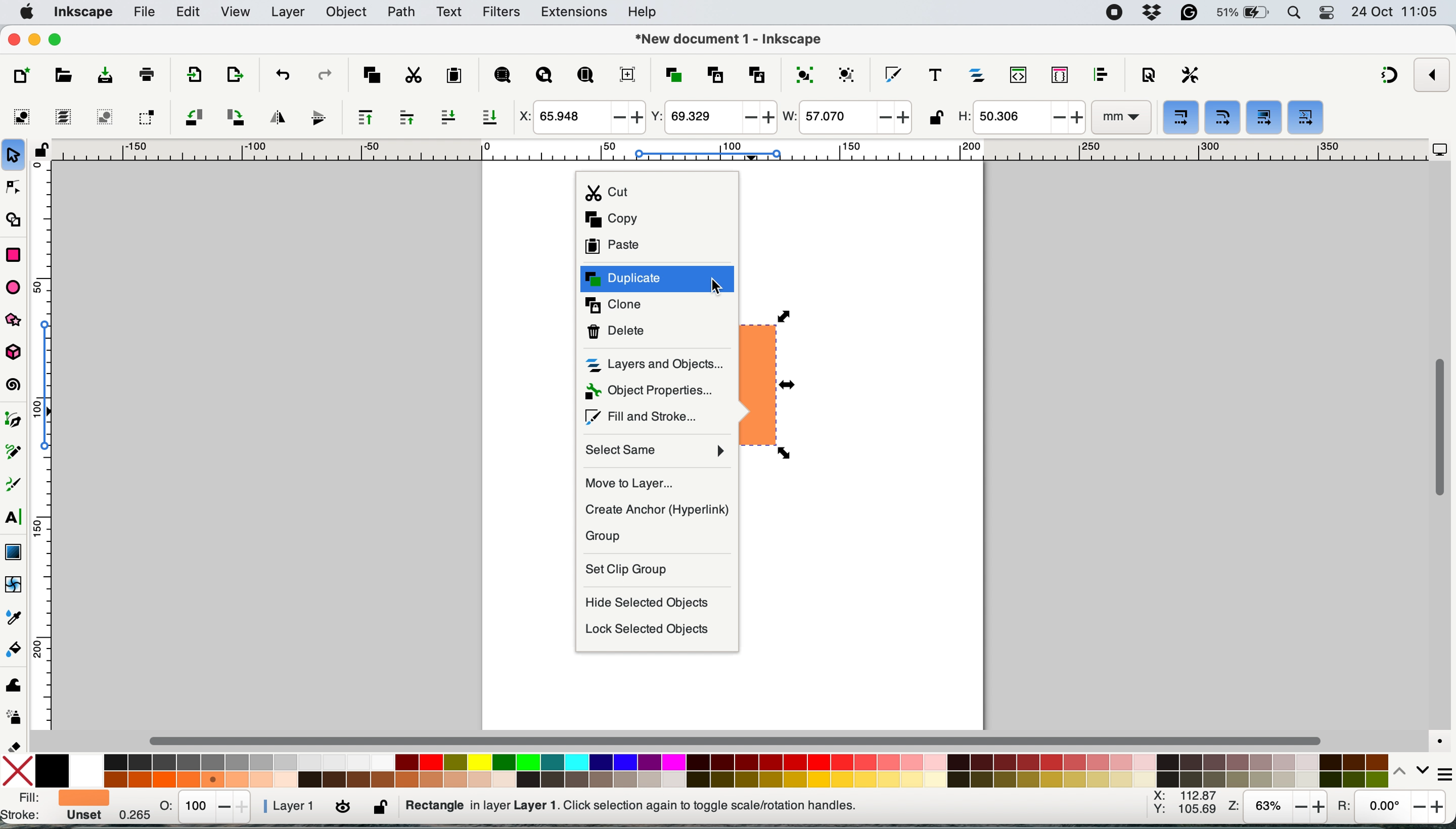  I want to click on horizontal scroll bar, so click(739, 740).